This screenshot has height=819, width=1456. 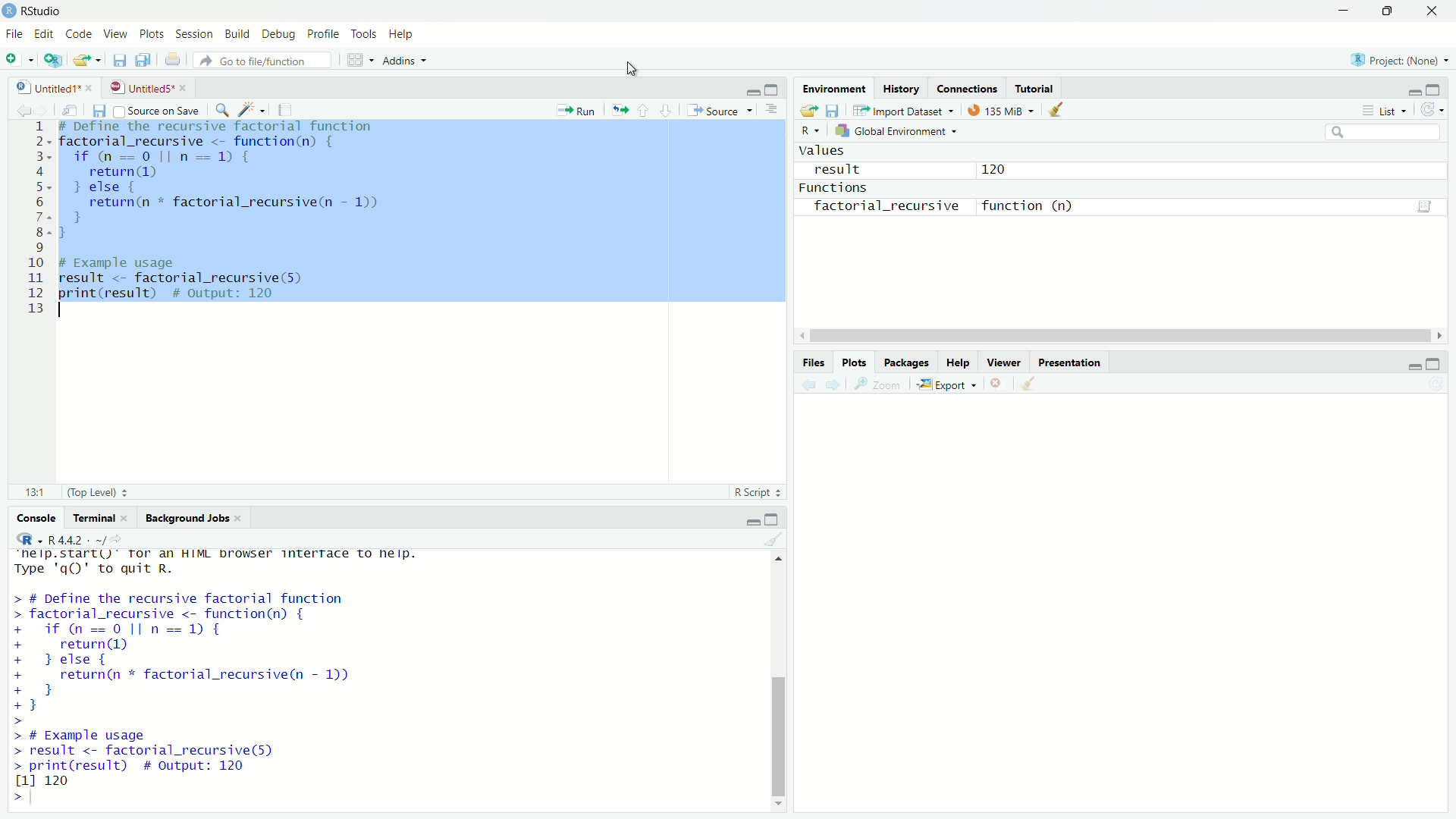 What do you see at coordinates (752, 91) in the screenshot?
I see `Minimze` at bounding box center [752, 91].